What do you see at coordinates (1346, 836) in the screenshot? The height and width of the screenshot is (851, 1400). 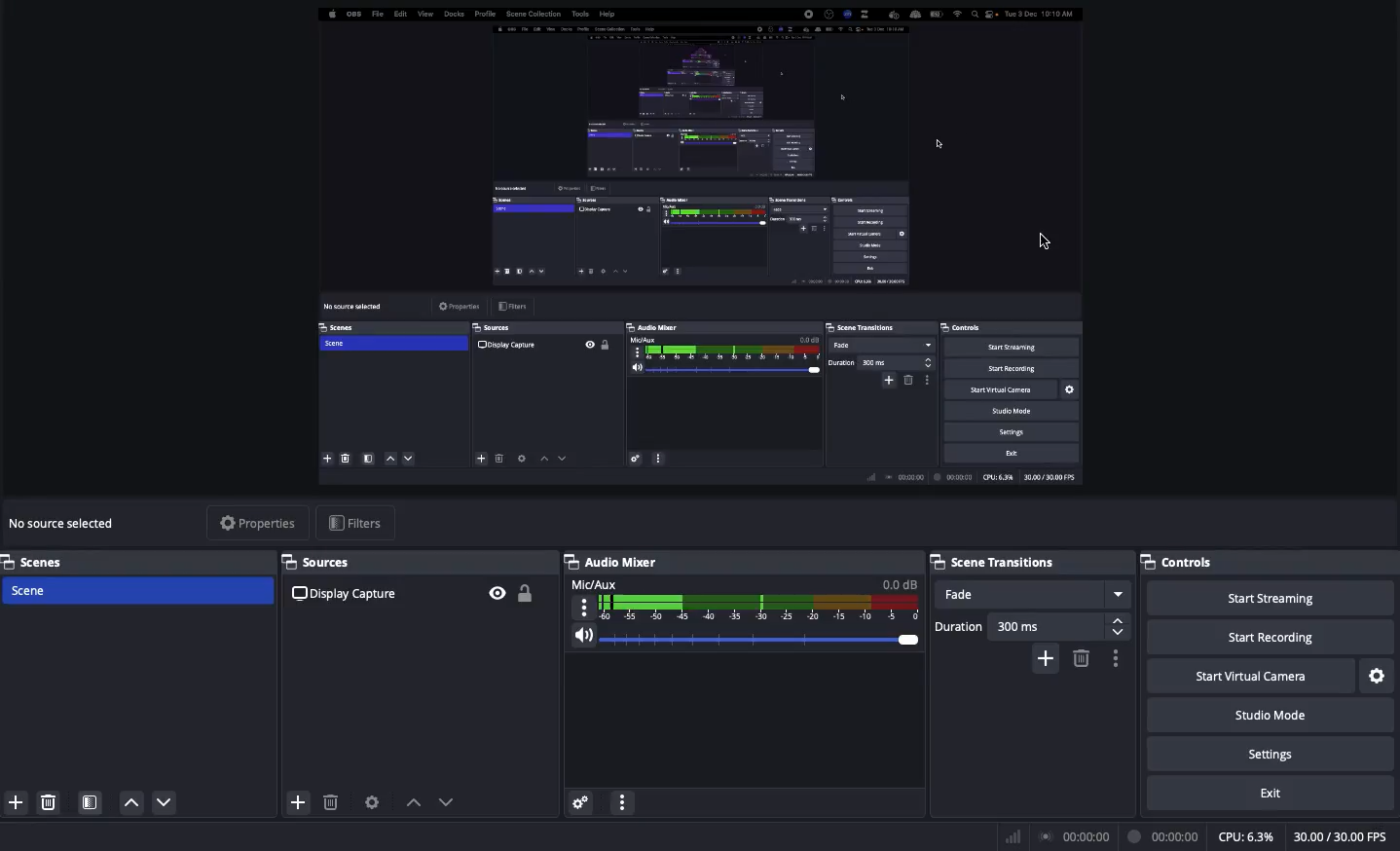 I see `FPS` at bounding box center [1346, 836].